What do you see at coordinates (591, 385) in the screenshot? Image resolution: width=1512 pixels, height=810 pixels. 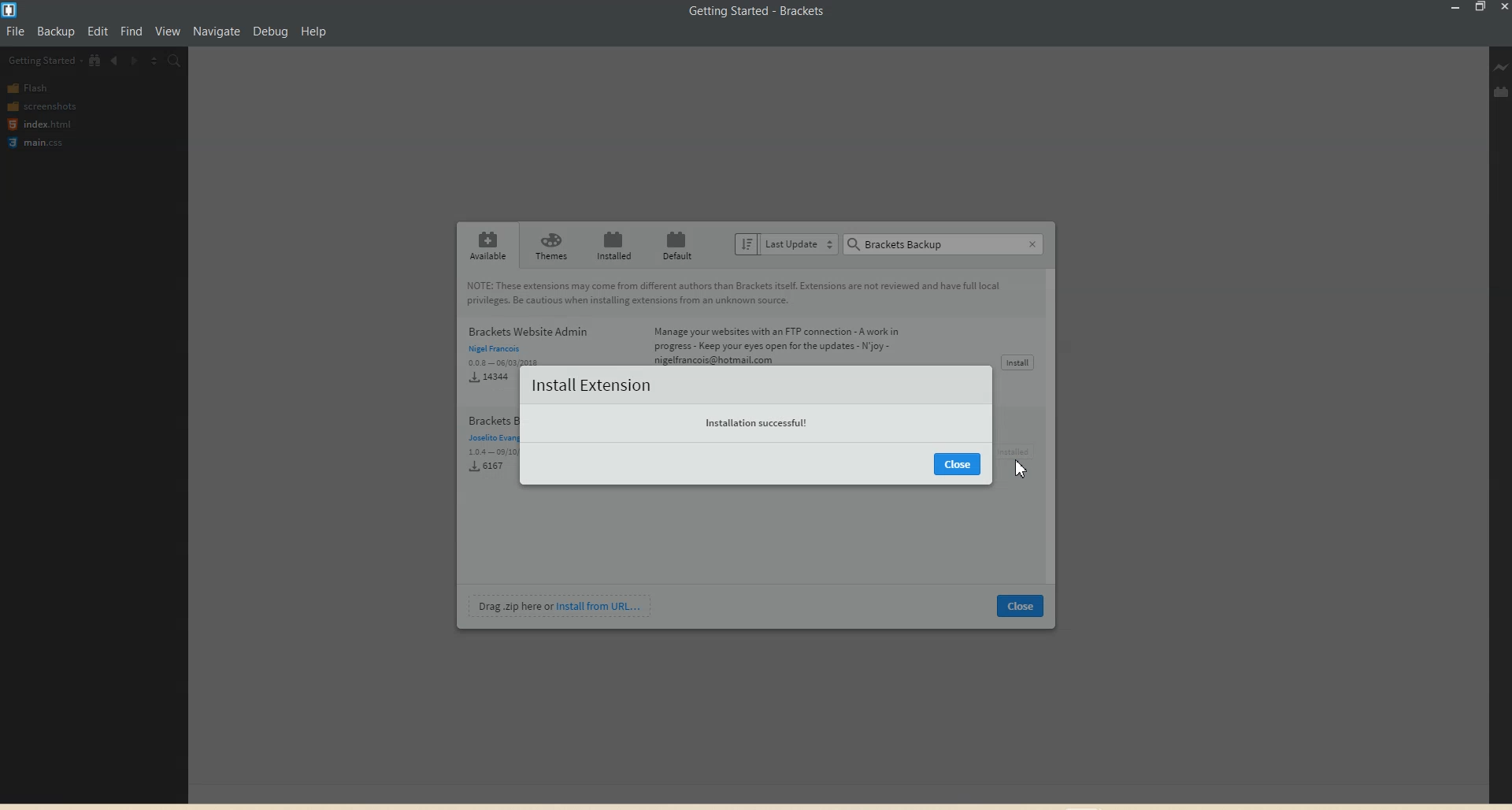 I see `Install Extension` at bounding box center [591, 385].